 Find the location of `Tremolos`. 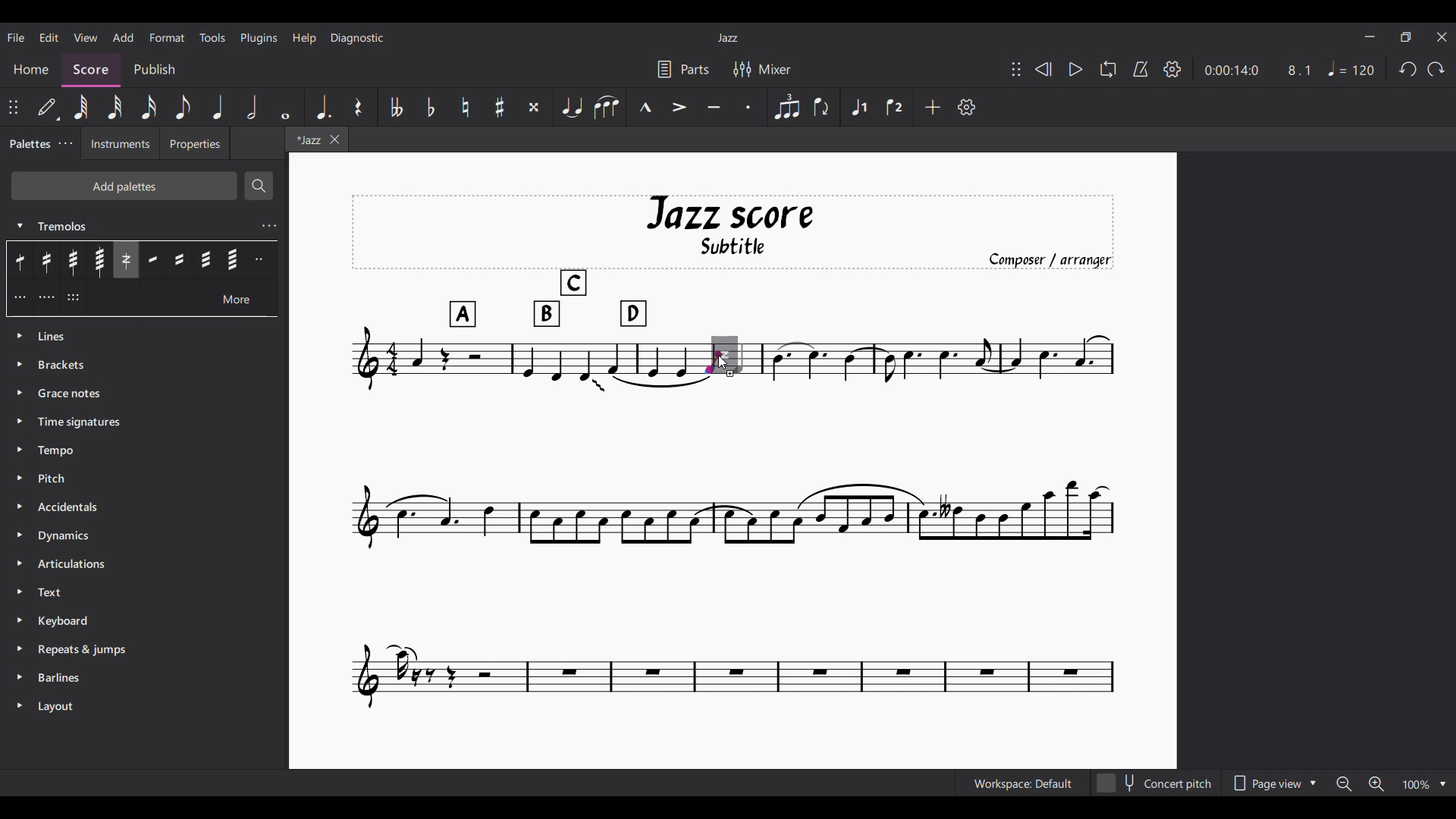

Tremolos is located at coordinates (131, 224).